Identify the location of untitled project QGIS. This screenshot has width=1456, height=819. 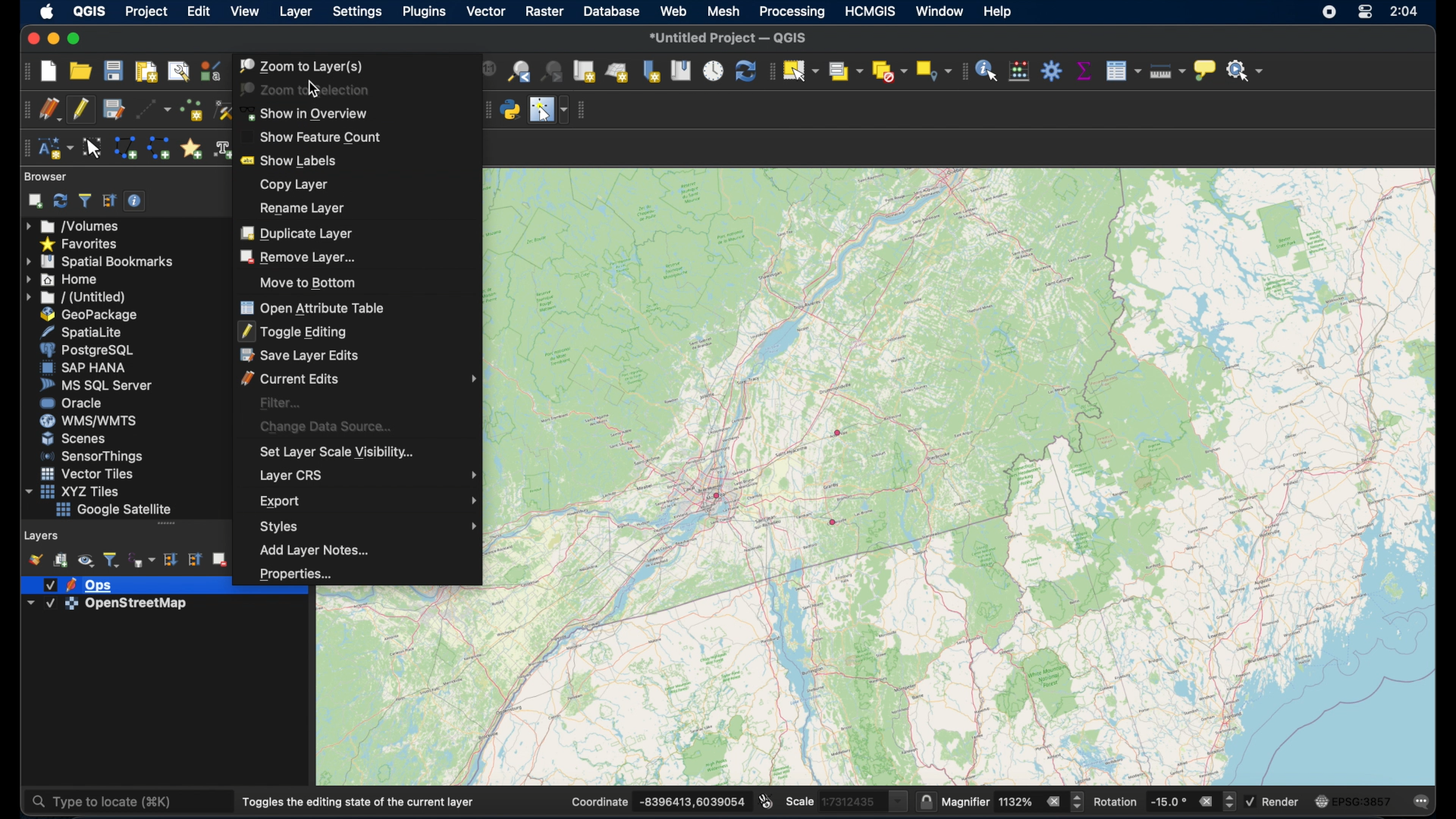
(733, 37).